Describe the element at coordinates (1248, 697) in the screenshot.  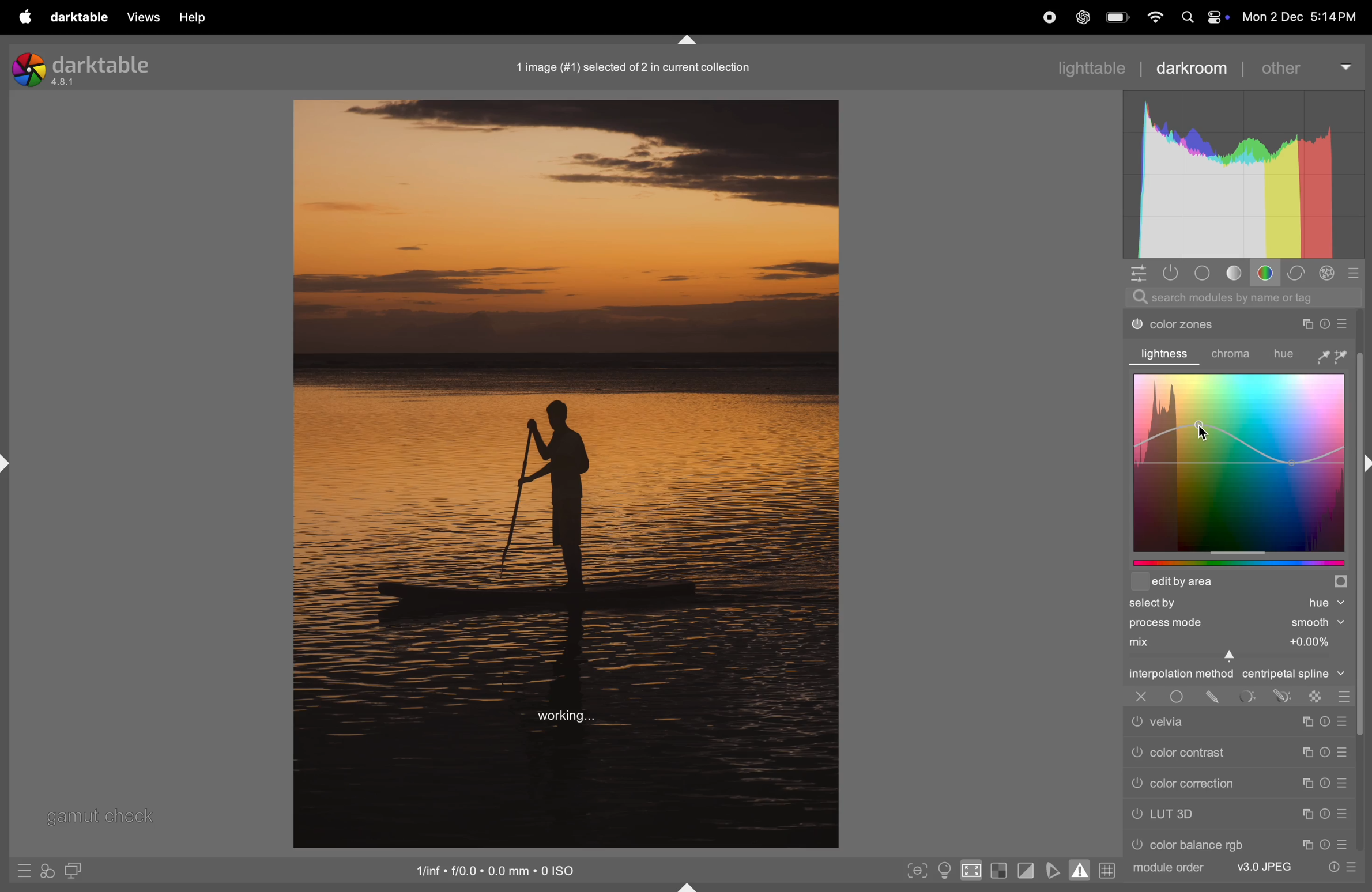
I see `` at that location.